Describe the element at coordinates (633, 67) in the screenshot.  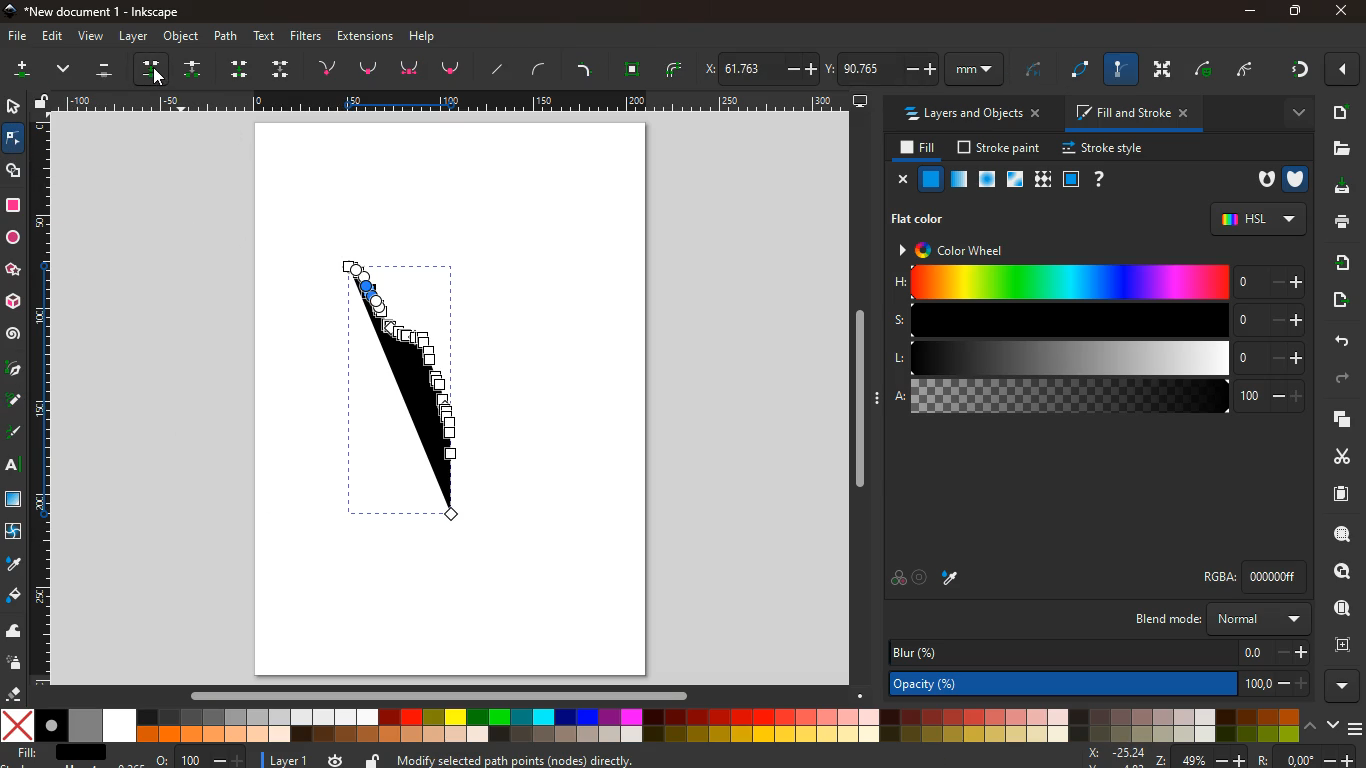
I see `waure` at that location.